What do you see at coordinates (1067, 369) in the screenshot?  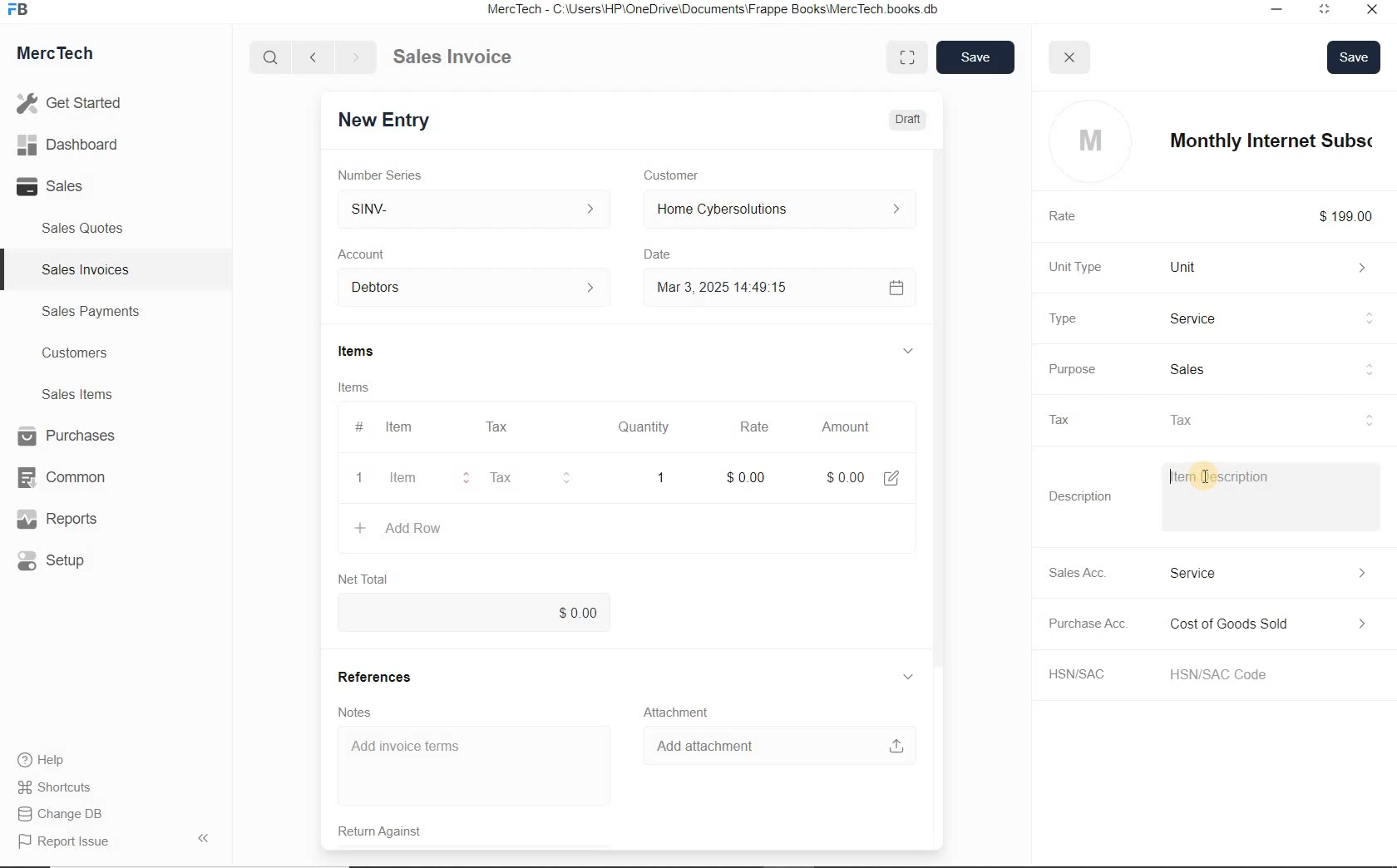 I see `Purpose` at bounding box center [1067, 369].